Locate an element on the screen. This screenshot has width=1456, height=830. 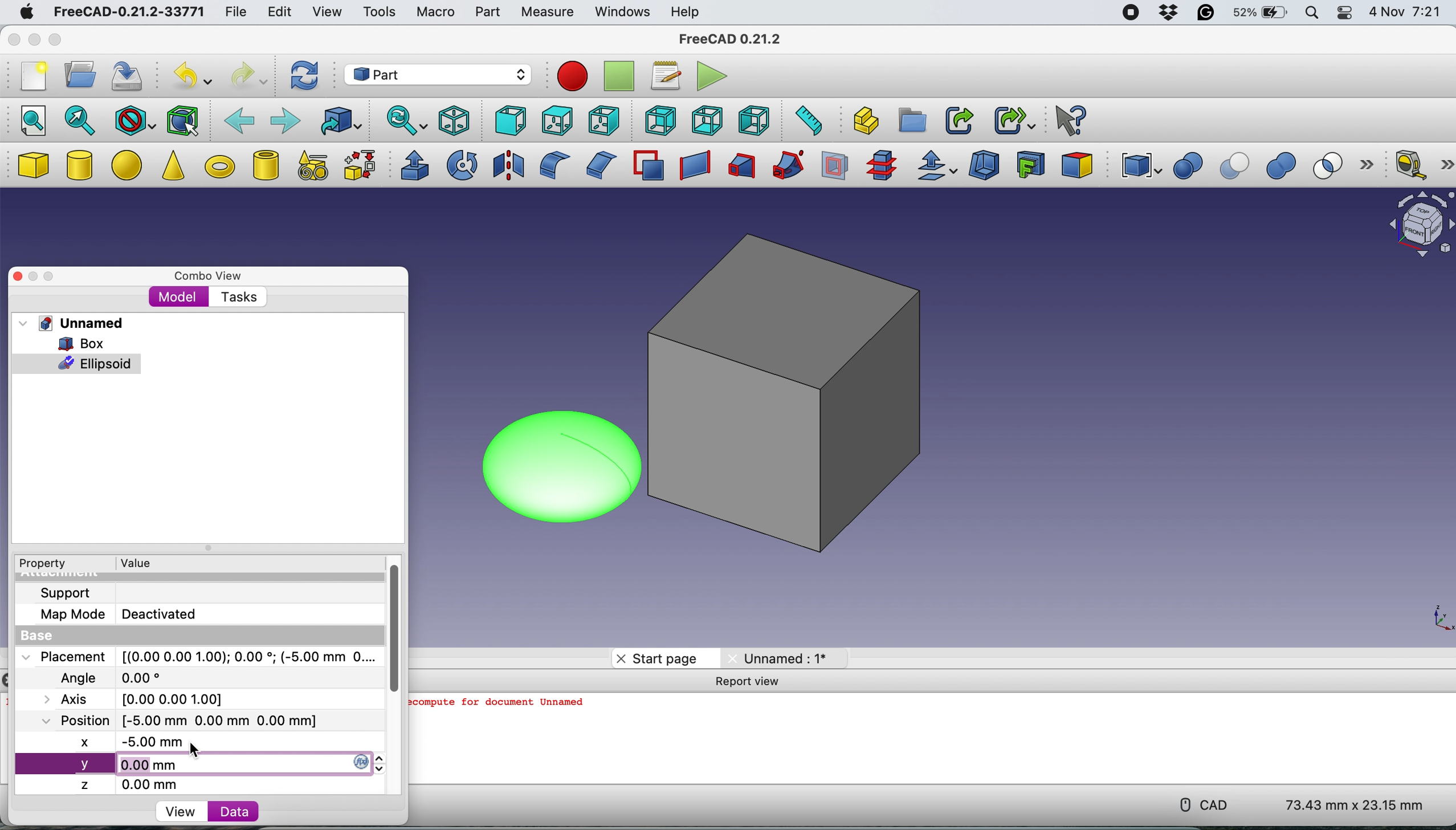
z 0.00 mm is located at coordinates (137, 784).